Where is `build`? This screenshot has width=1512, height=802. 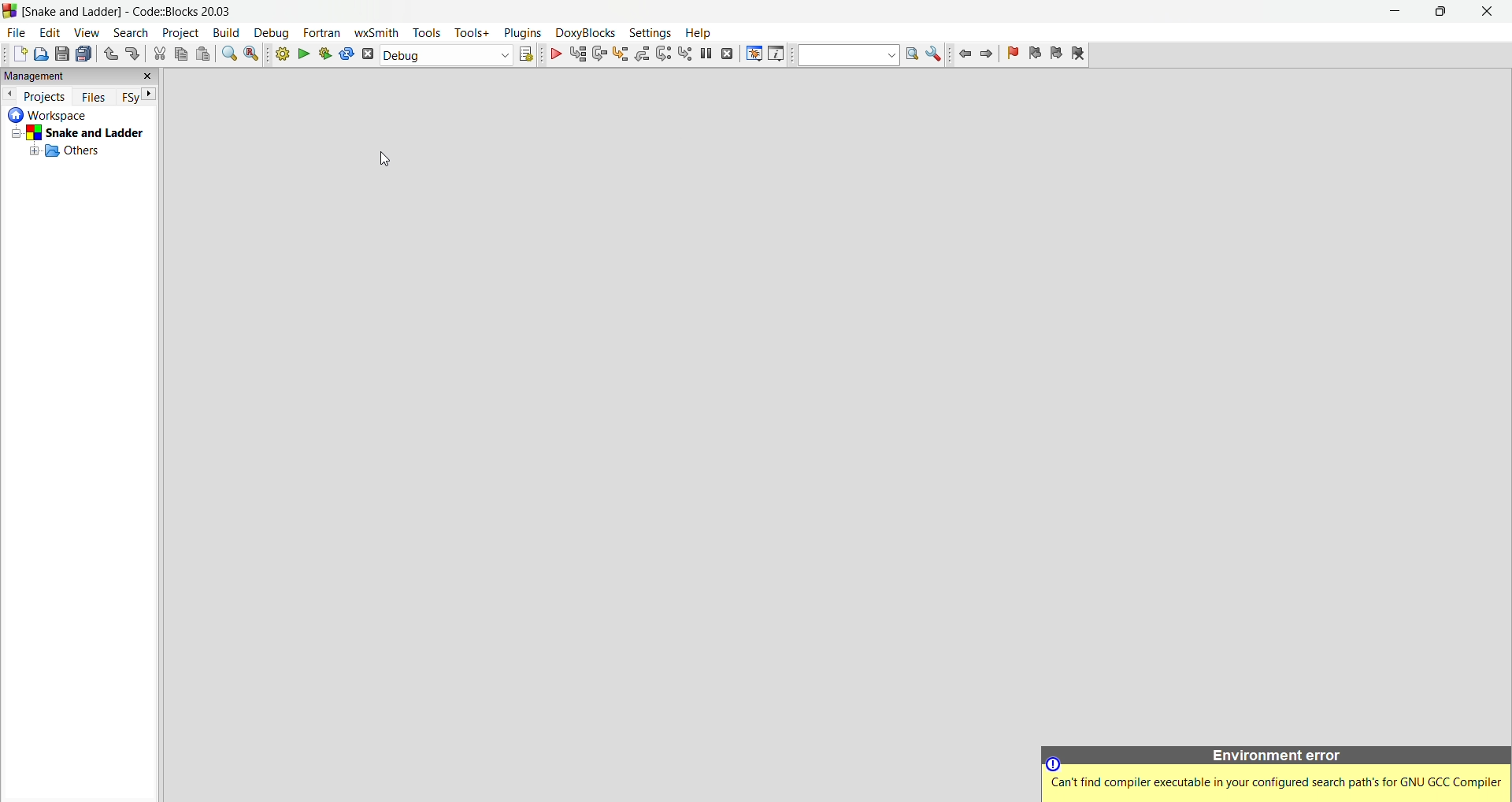
build is located at coordinates (282, 56).